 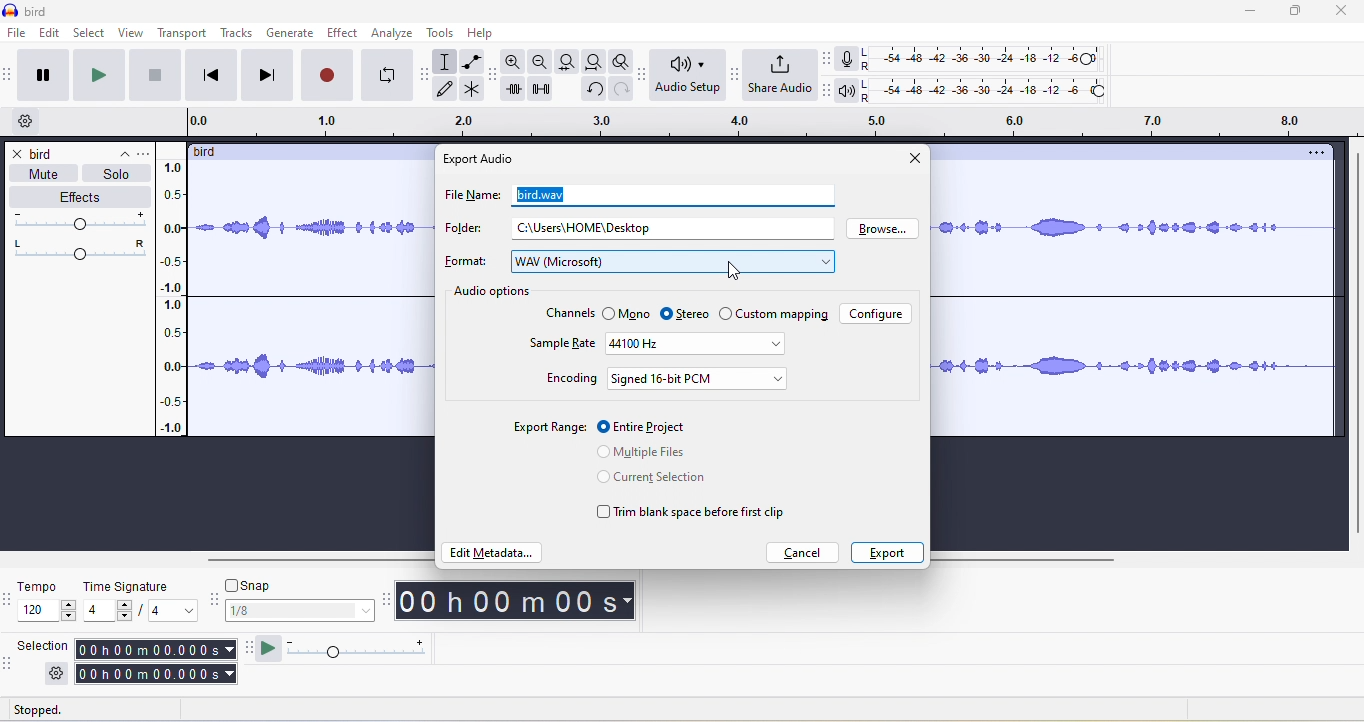 I want to click on tempo, so click(x=47, y=602).